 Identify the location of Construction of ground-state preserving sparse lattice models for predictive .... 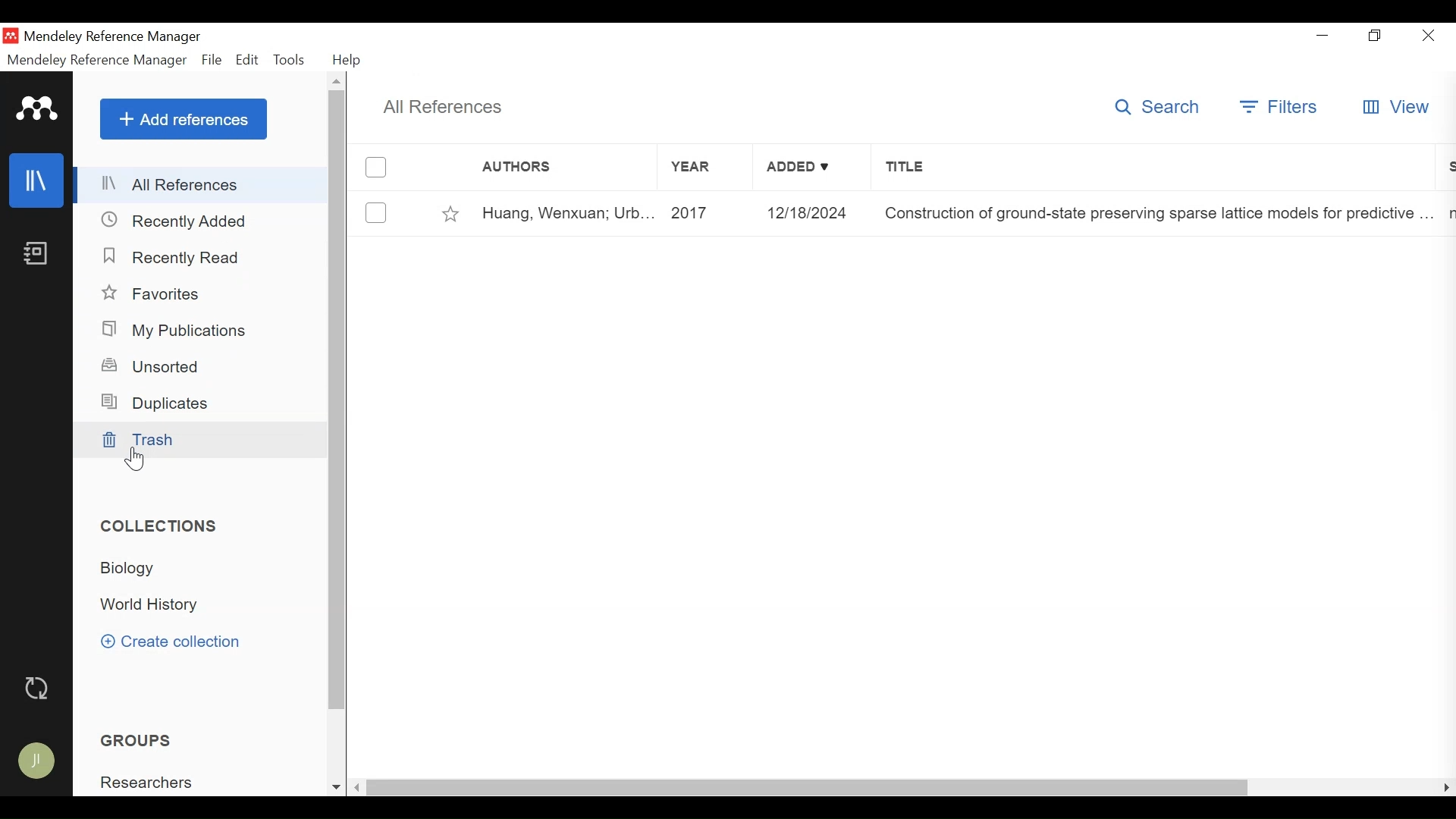
(1157, 214).